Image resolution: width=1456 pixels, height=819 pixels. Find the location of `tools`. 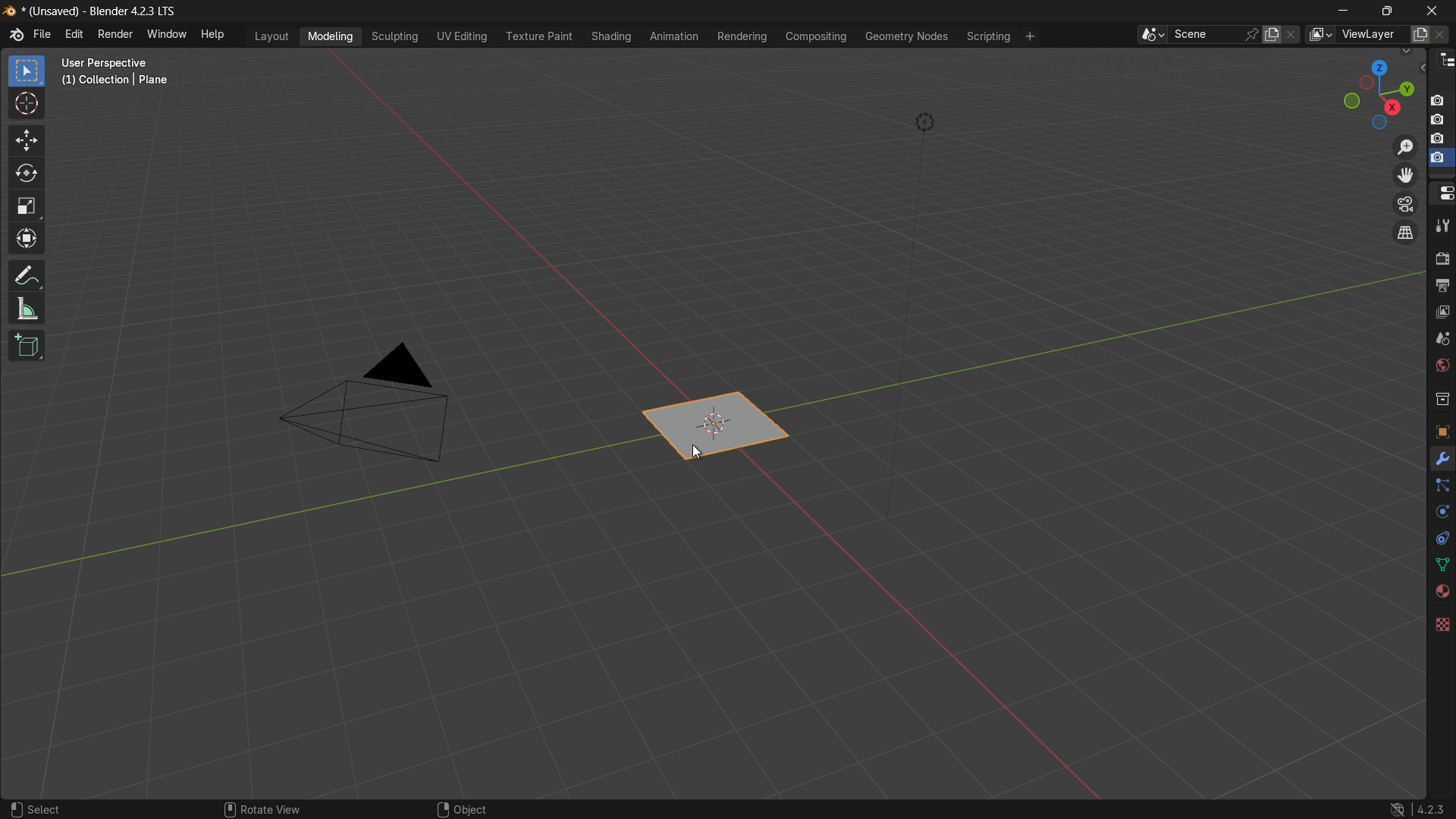

tools is located at coordinates (1443, 461).